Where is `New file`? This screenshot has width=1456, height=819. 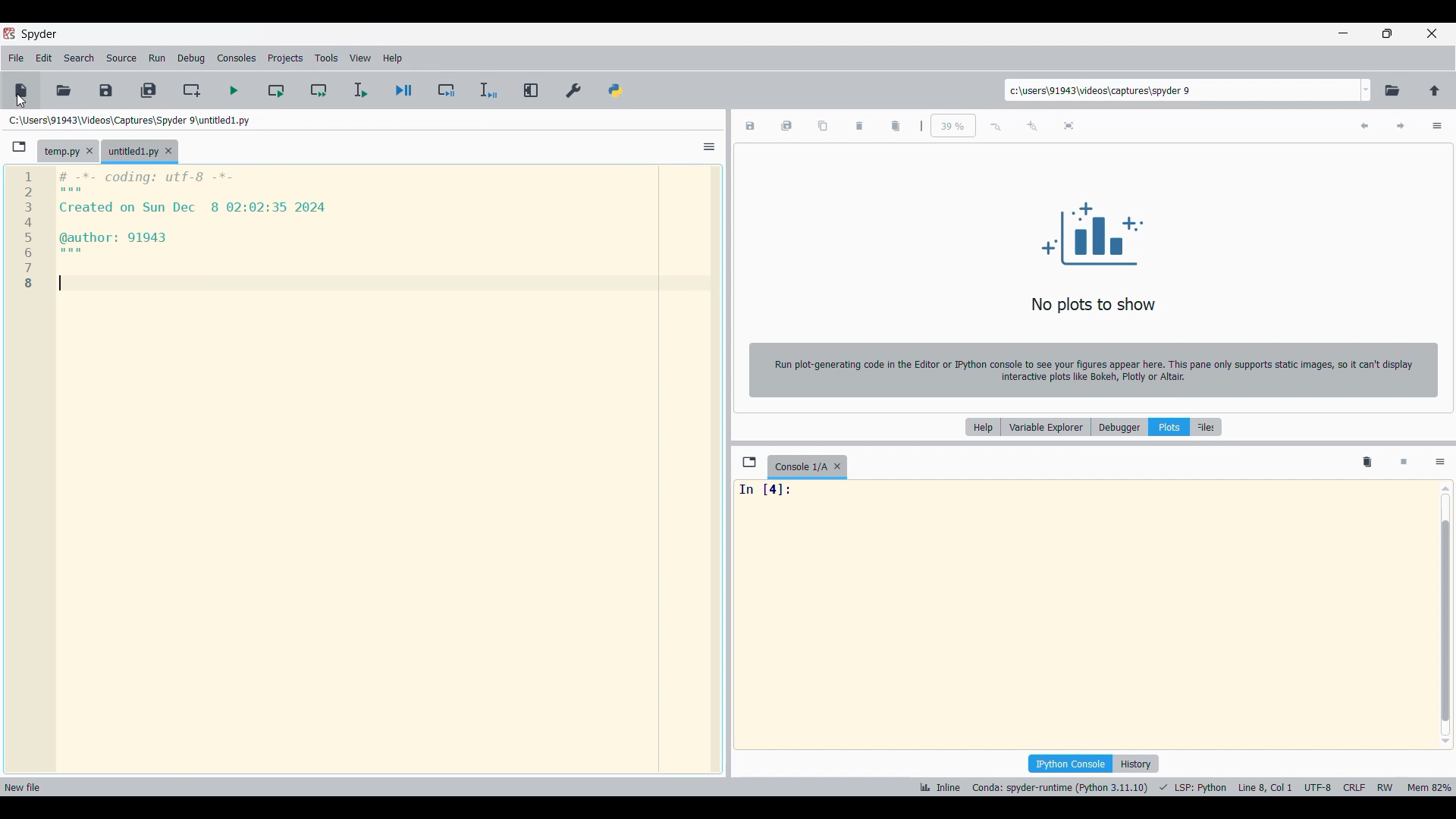 New file is located at coordinates (20, 89).